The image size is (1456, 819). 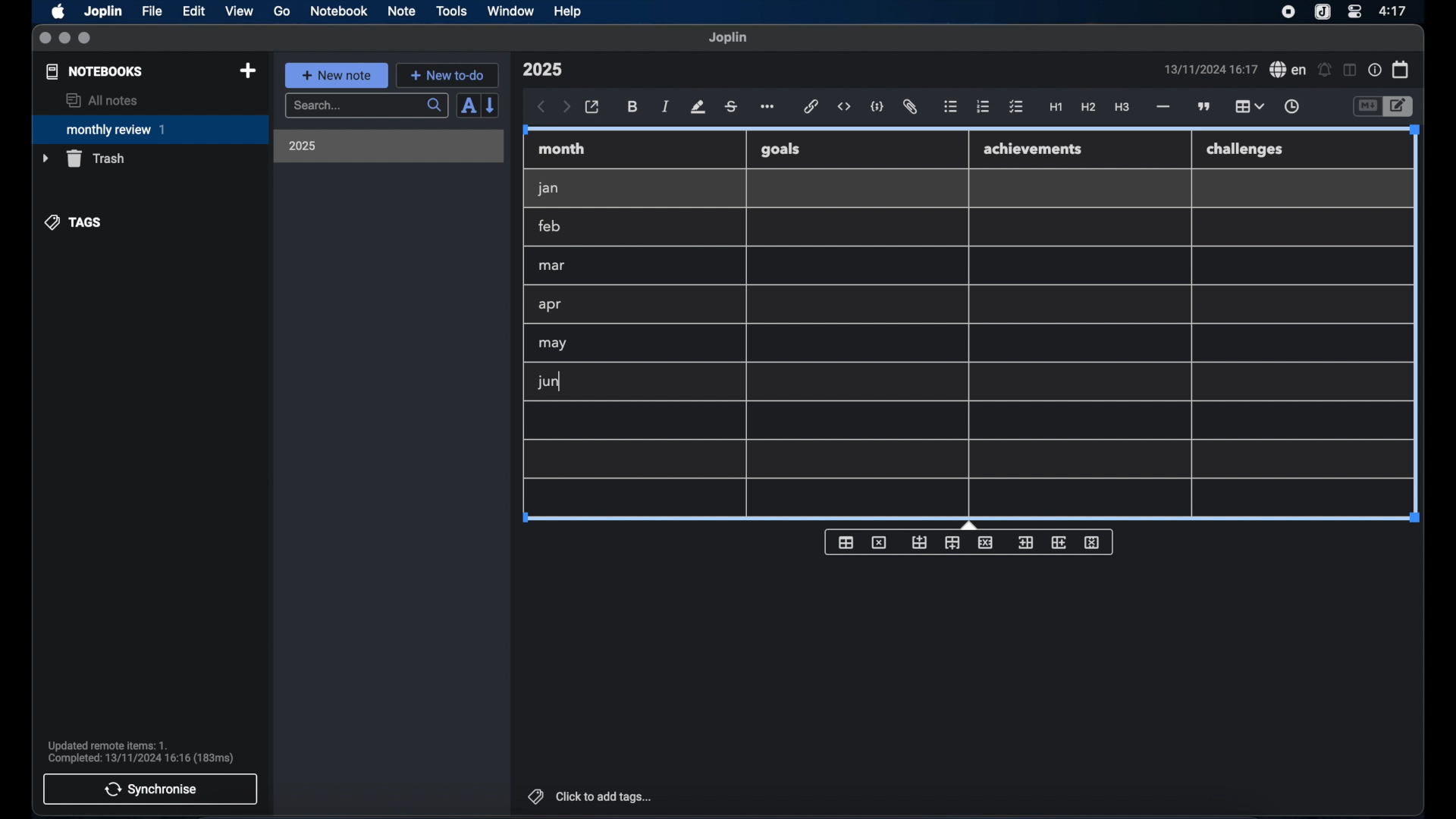 I want to click on edit, so click(x=195, y=11).